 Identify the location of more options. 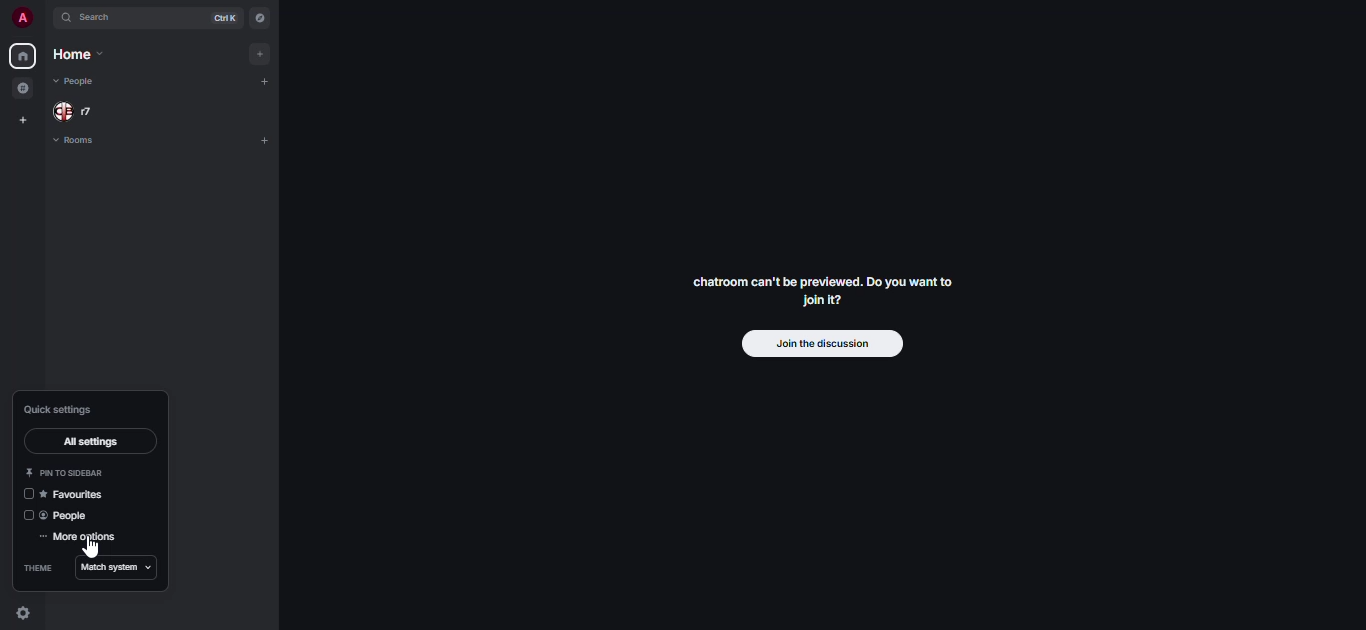
(80, 538).